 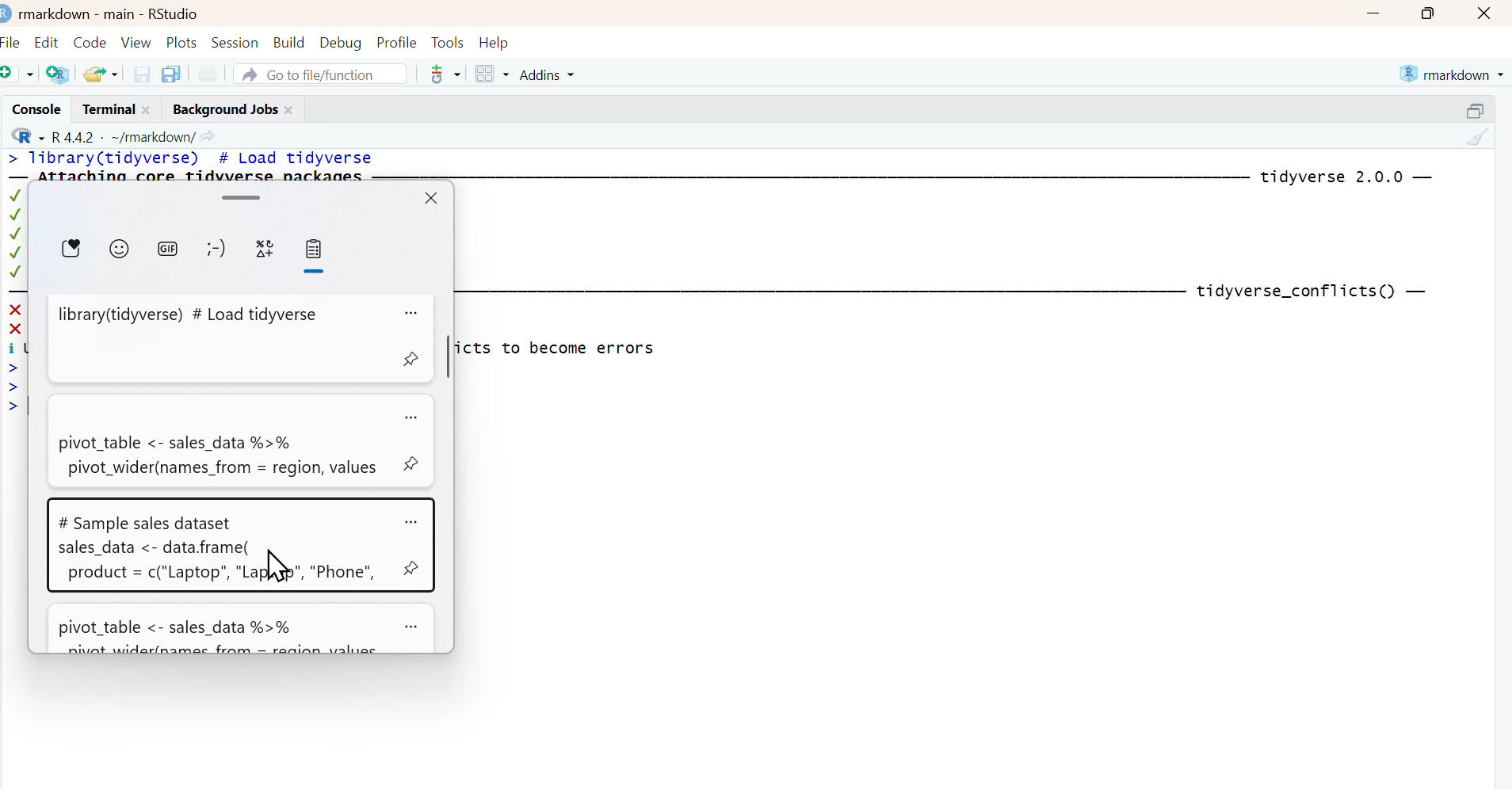 What do you see at coordinates (201, 159) in the screenshot?
I see `library(tidyverse) # Load tidyverse` at bounding box center [201, 159].